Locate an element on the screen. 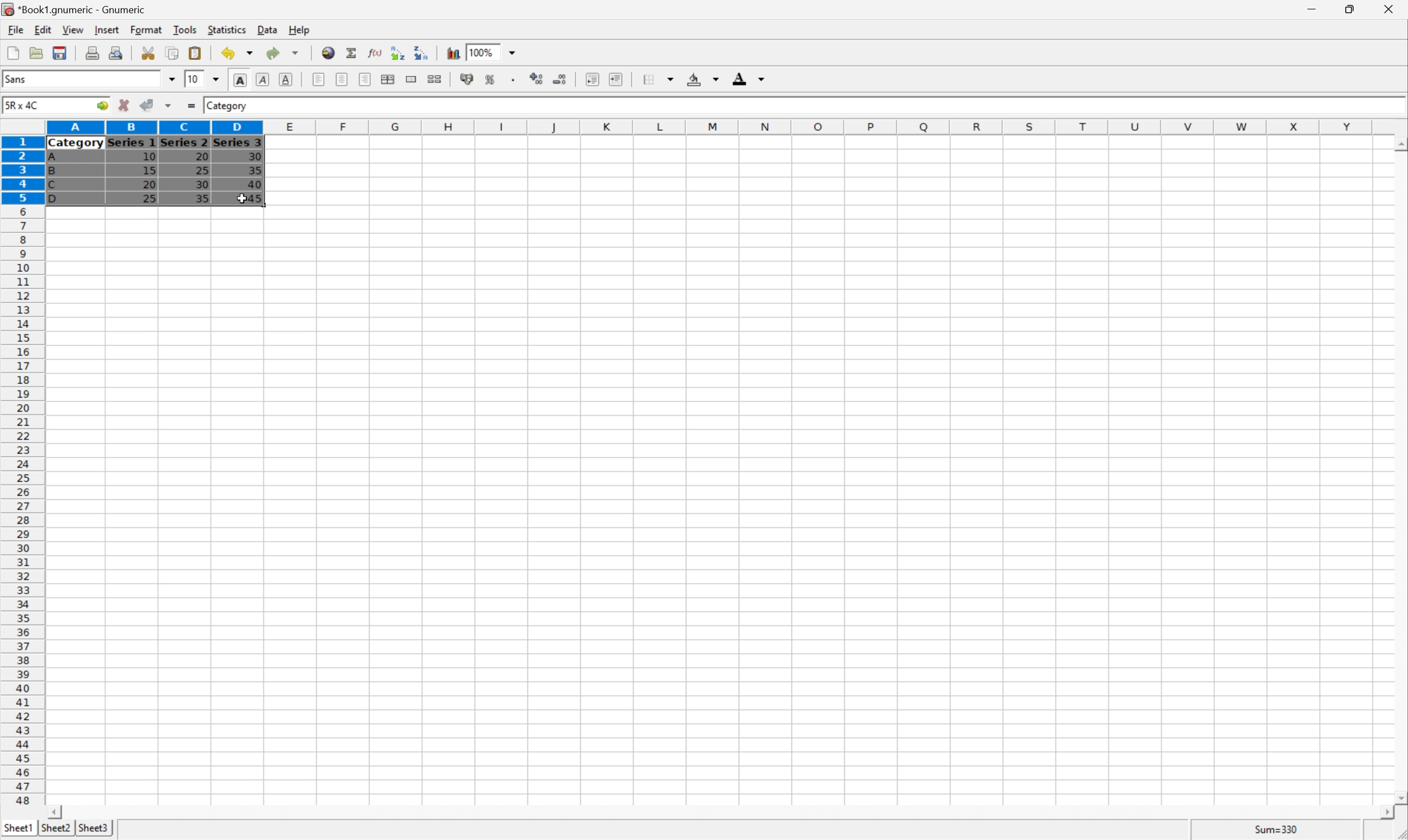  *Book1.gnumeric - Gnumeric is located at coordinates (76, 9).